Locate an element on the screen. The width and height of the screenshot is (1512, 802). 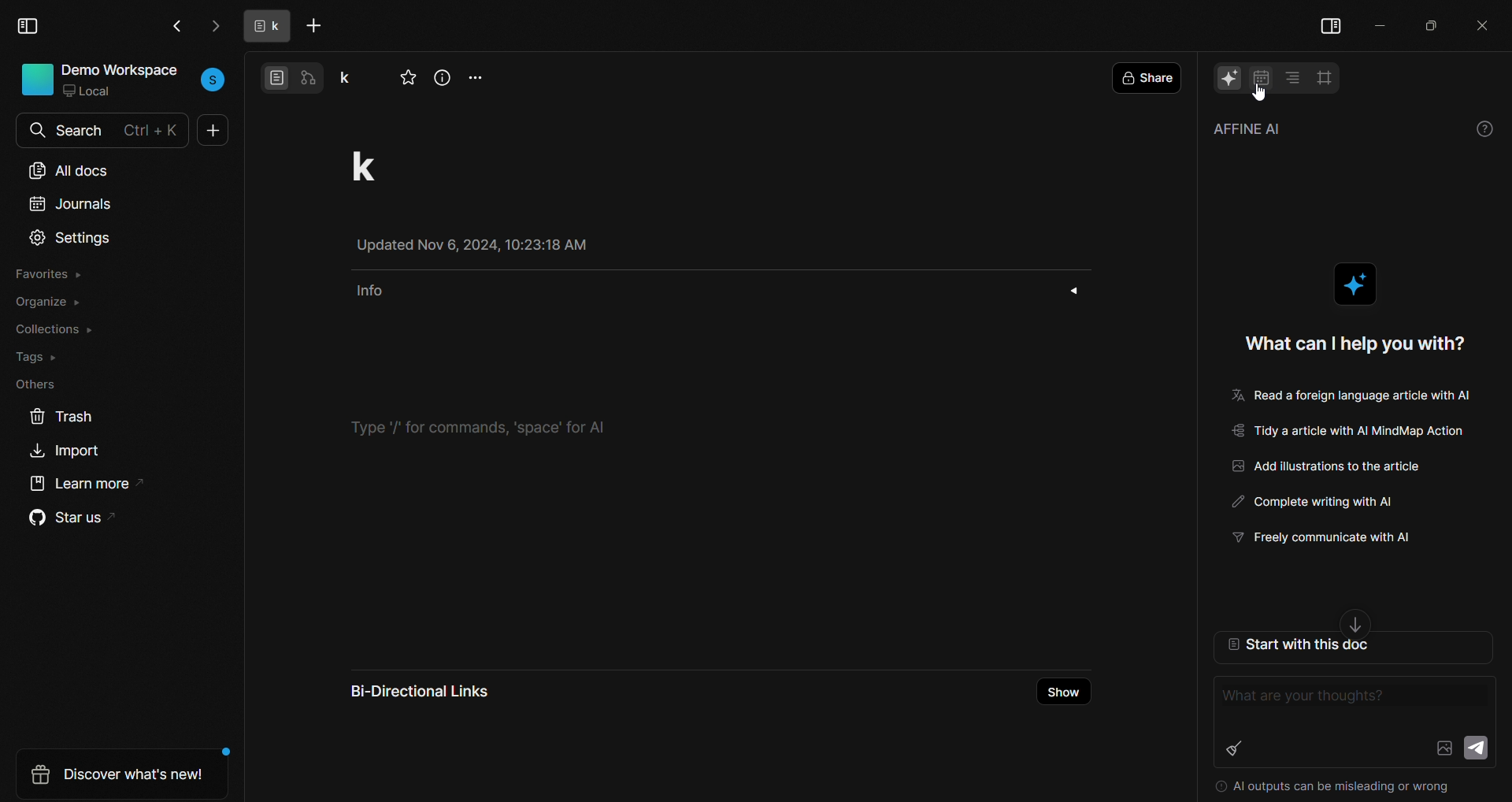
view sidebar is located at coordinates (30, 26).